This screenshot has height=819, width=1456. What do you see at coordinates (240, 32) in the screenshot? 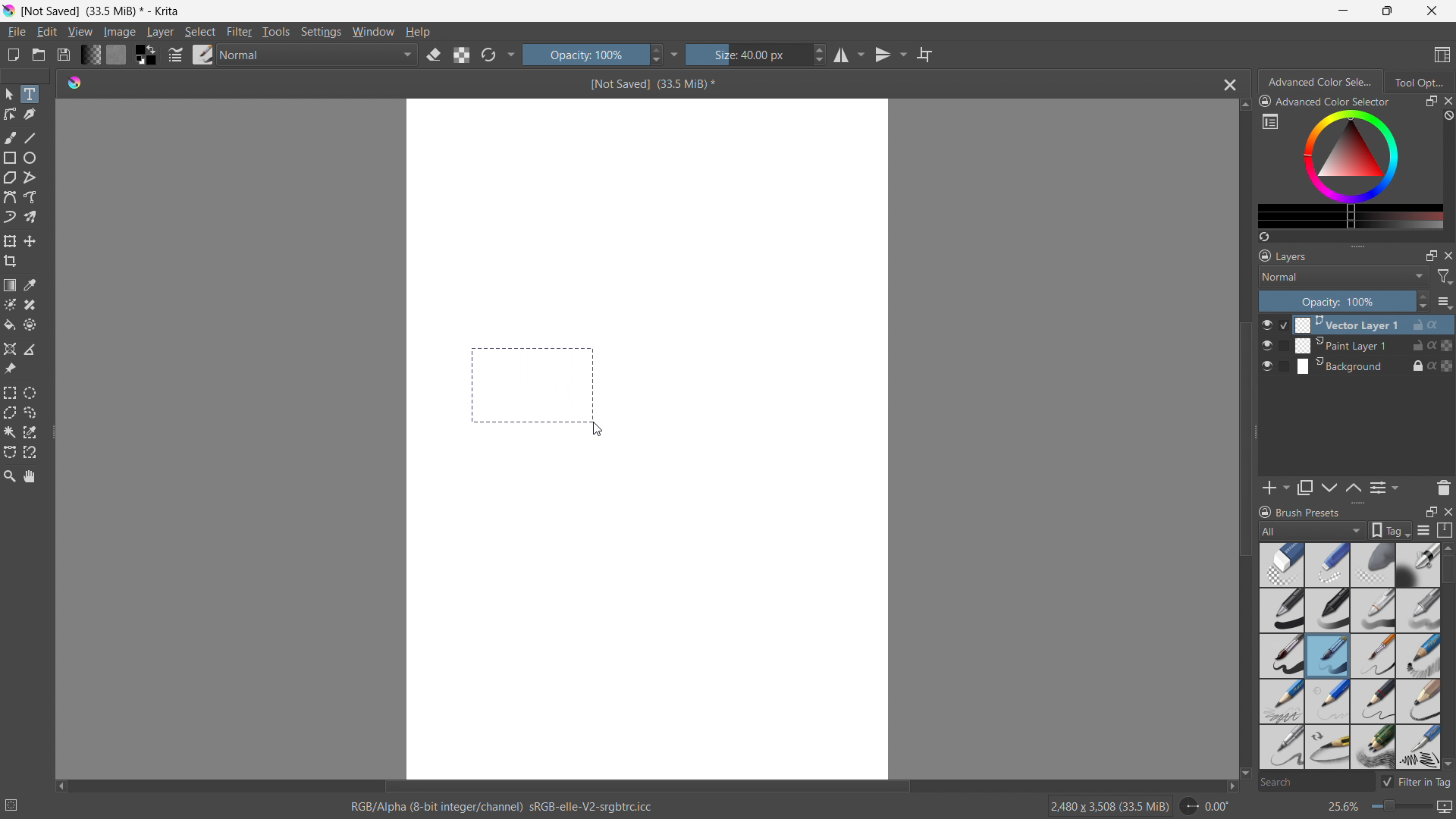
I see `filter` at bounding box center [240, 32].